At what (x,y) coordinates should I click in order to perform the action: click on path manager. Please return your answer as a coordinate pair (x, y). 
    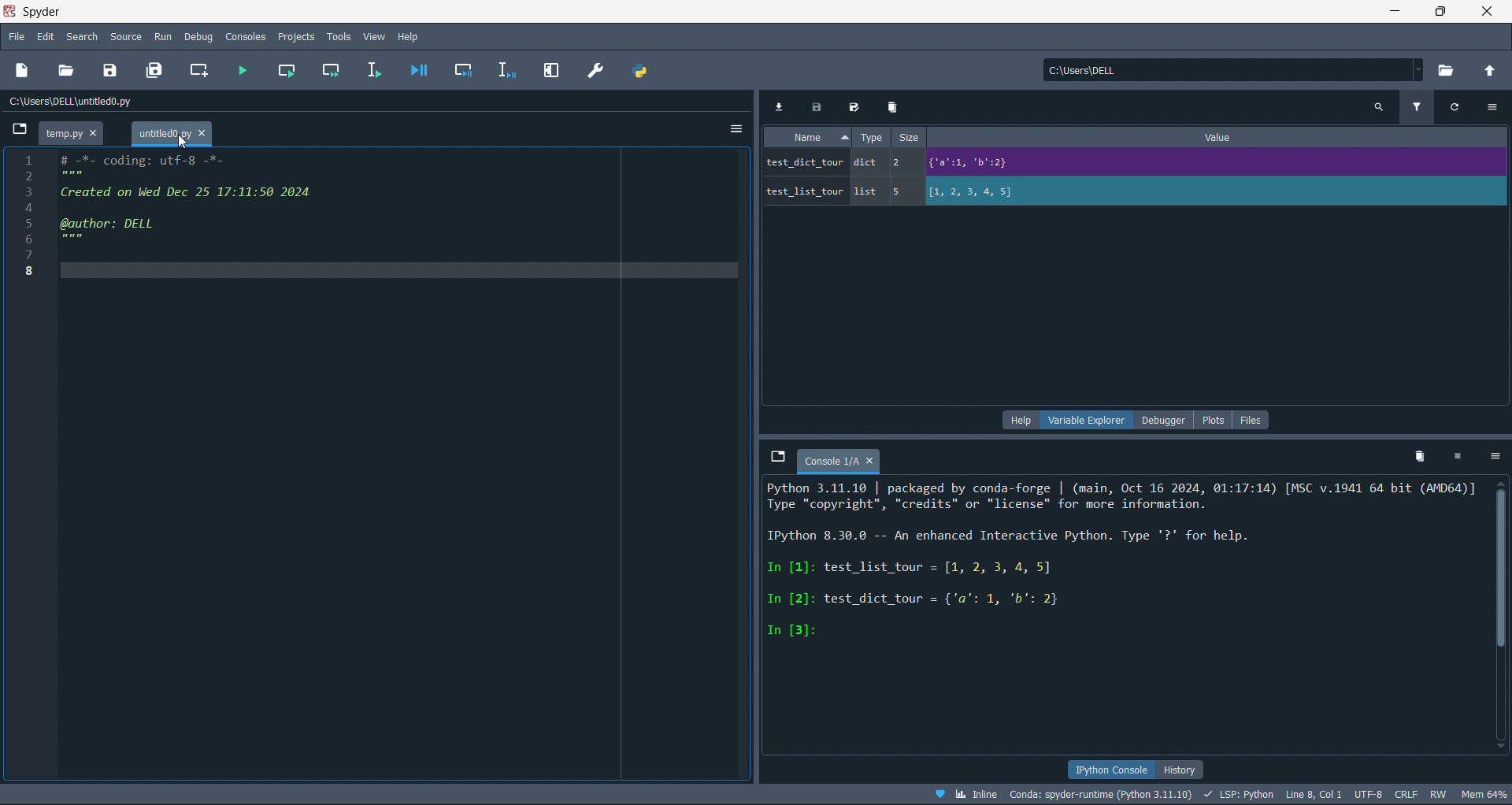
    Looking at the image, I should click on (645, 70).